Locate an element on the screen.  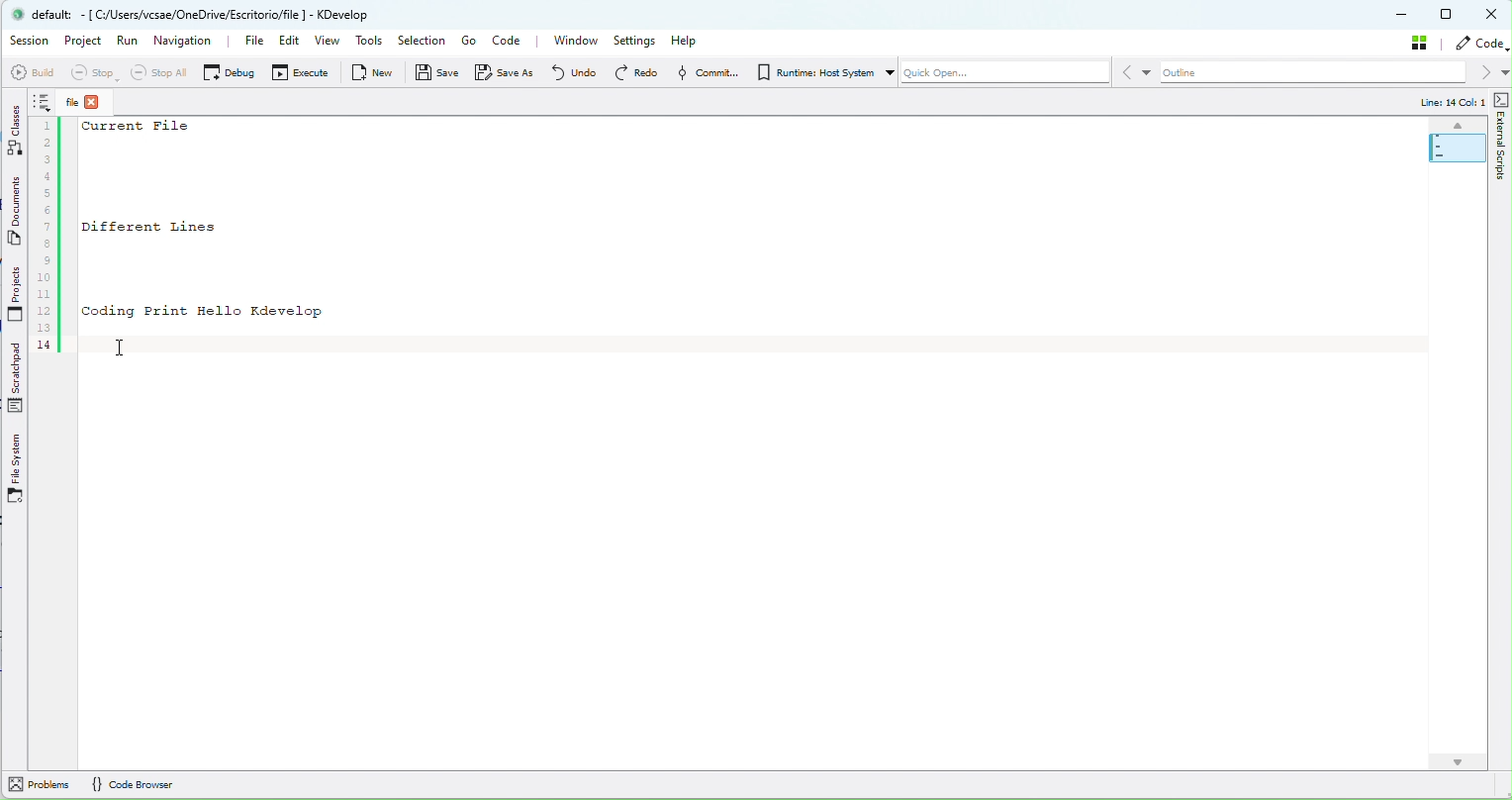
External Scripts Toggle is located at coordinates (1502, 99).